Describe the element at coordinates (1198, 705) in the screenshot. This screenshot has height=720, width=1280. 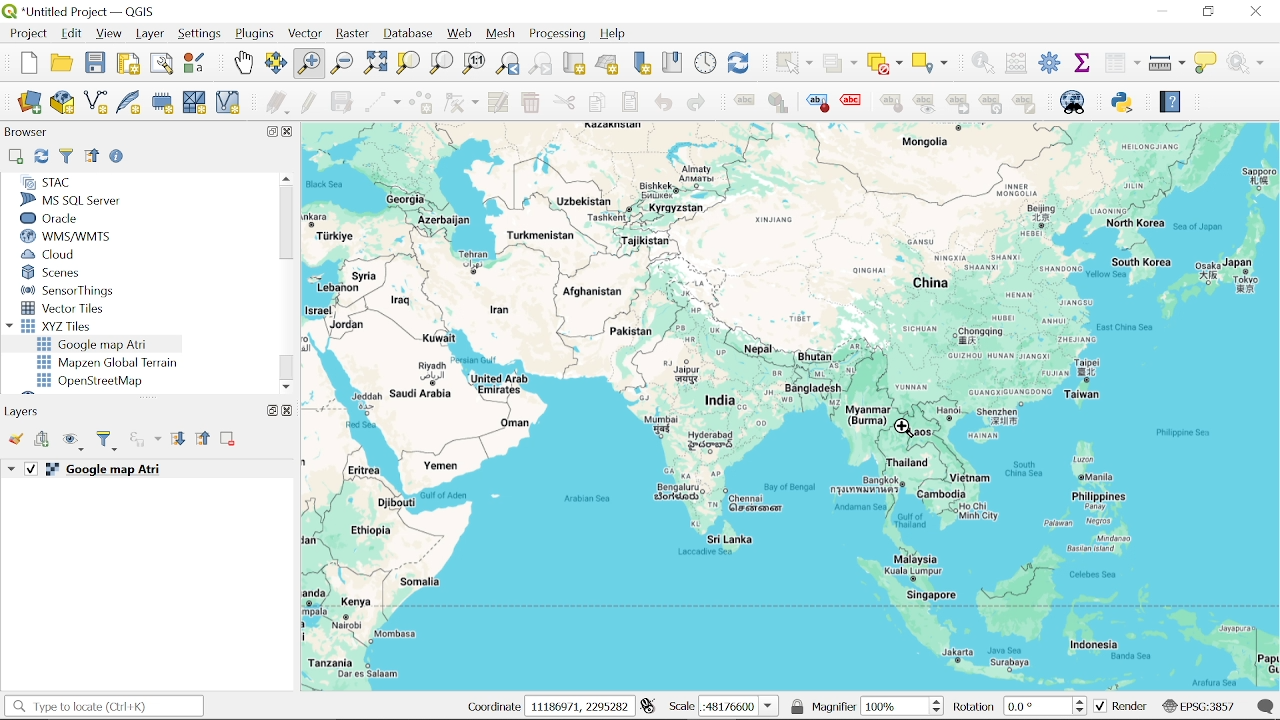
I see `Current CRS` at that location.